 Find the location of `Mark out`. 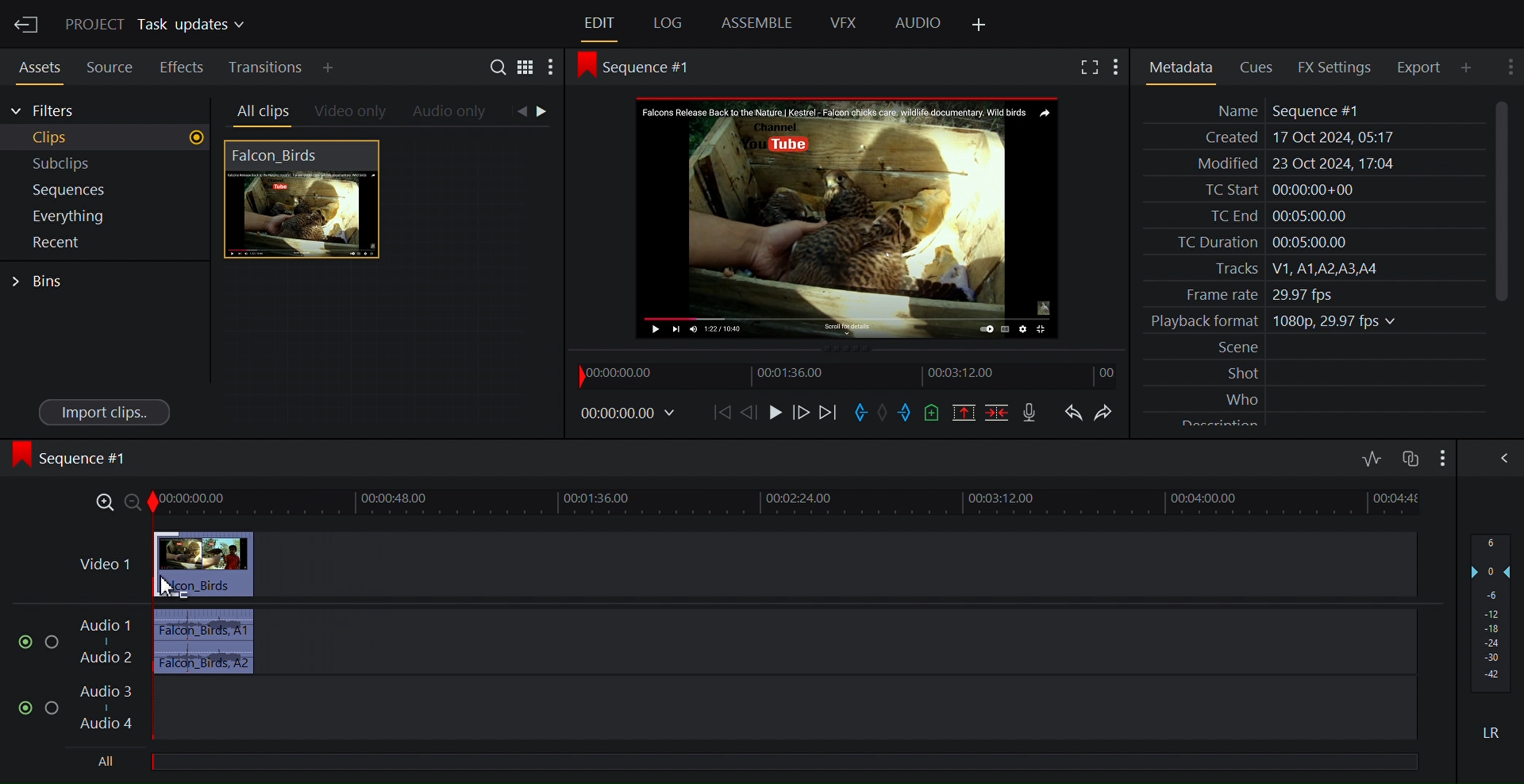

Mark out is located at coordinates (907, 412).